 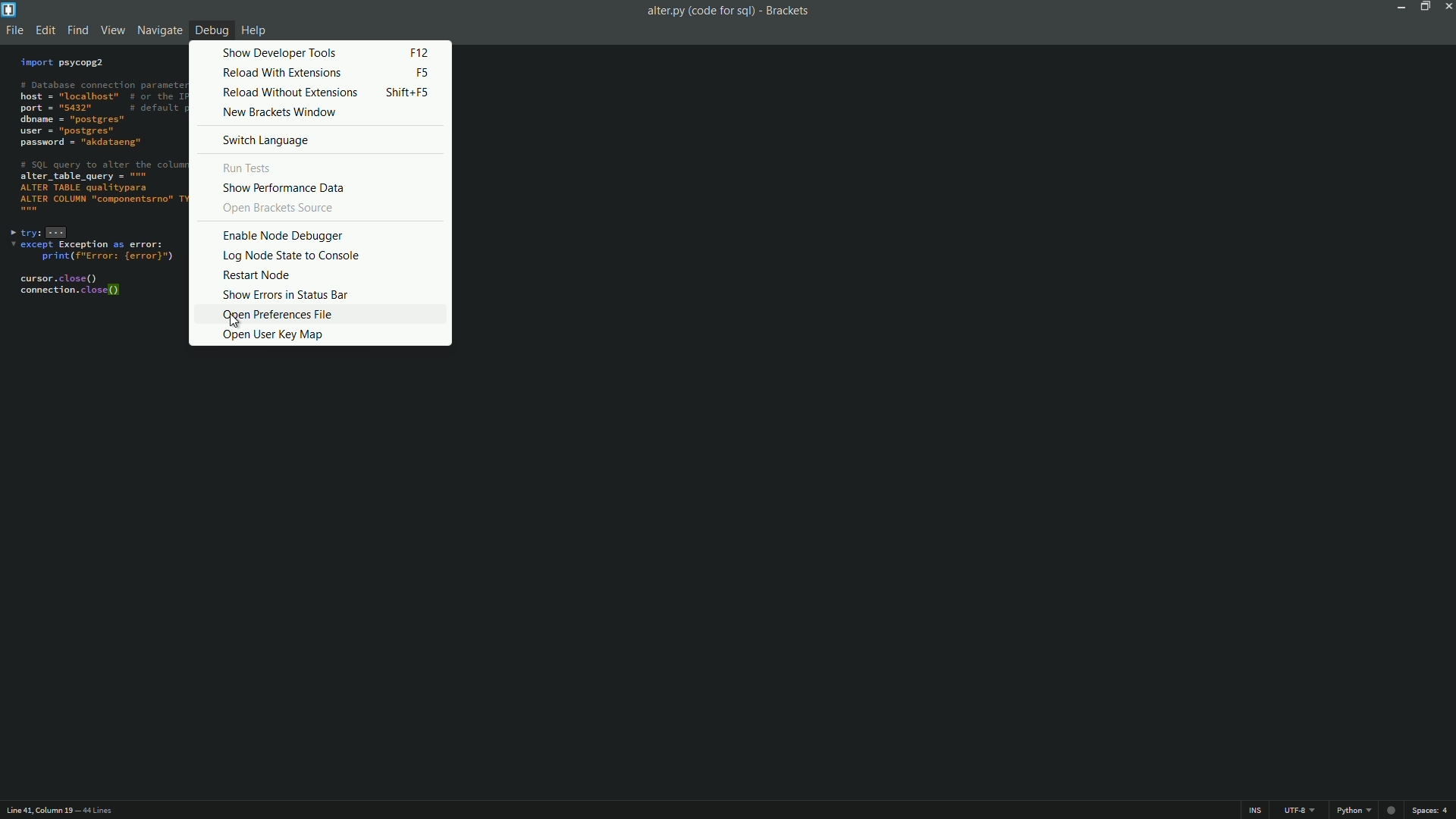 I want to click on Minimize, so click(x=1398, y=6).